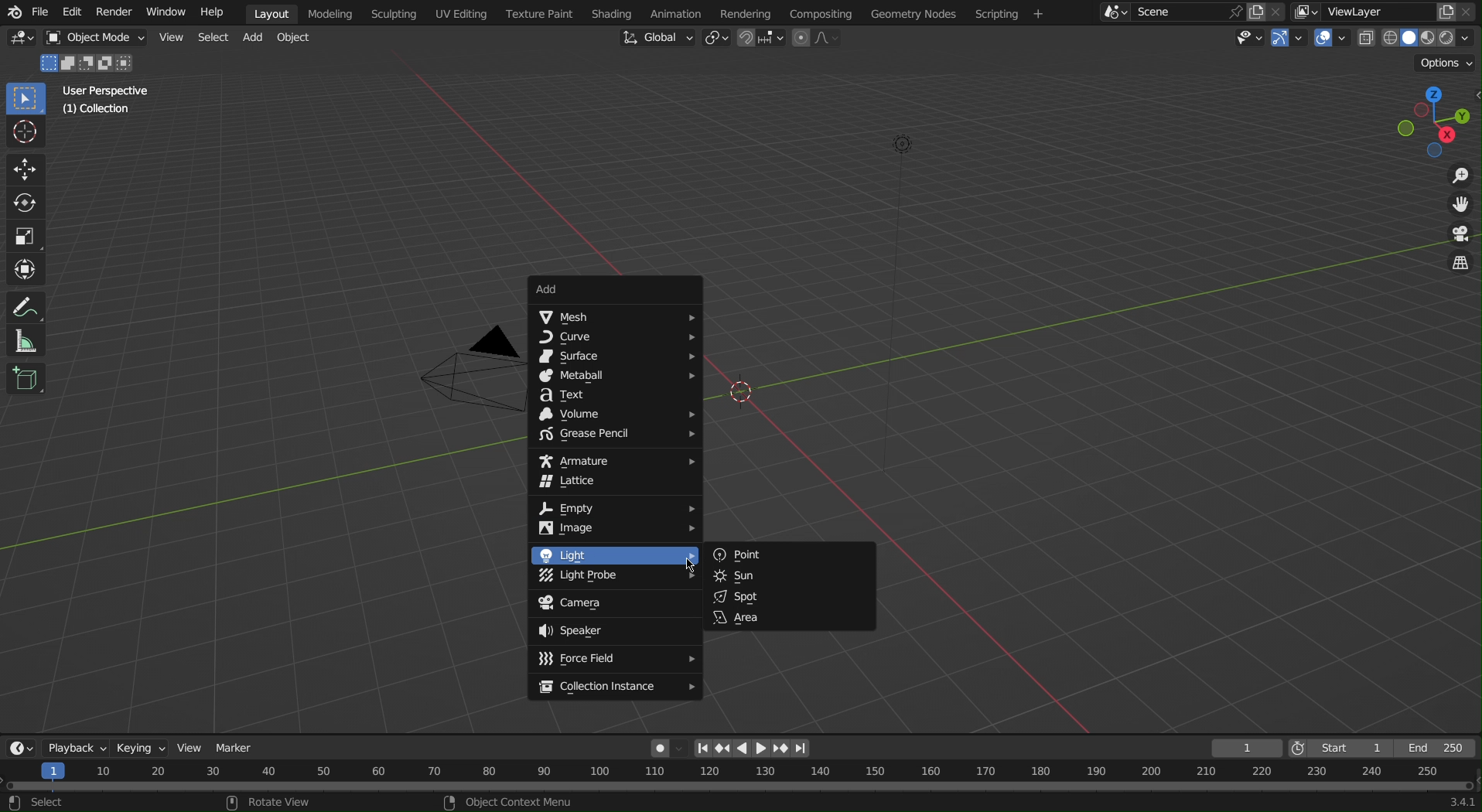  I want to click on Armature, so click(615, 459).